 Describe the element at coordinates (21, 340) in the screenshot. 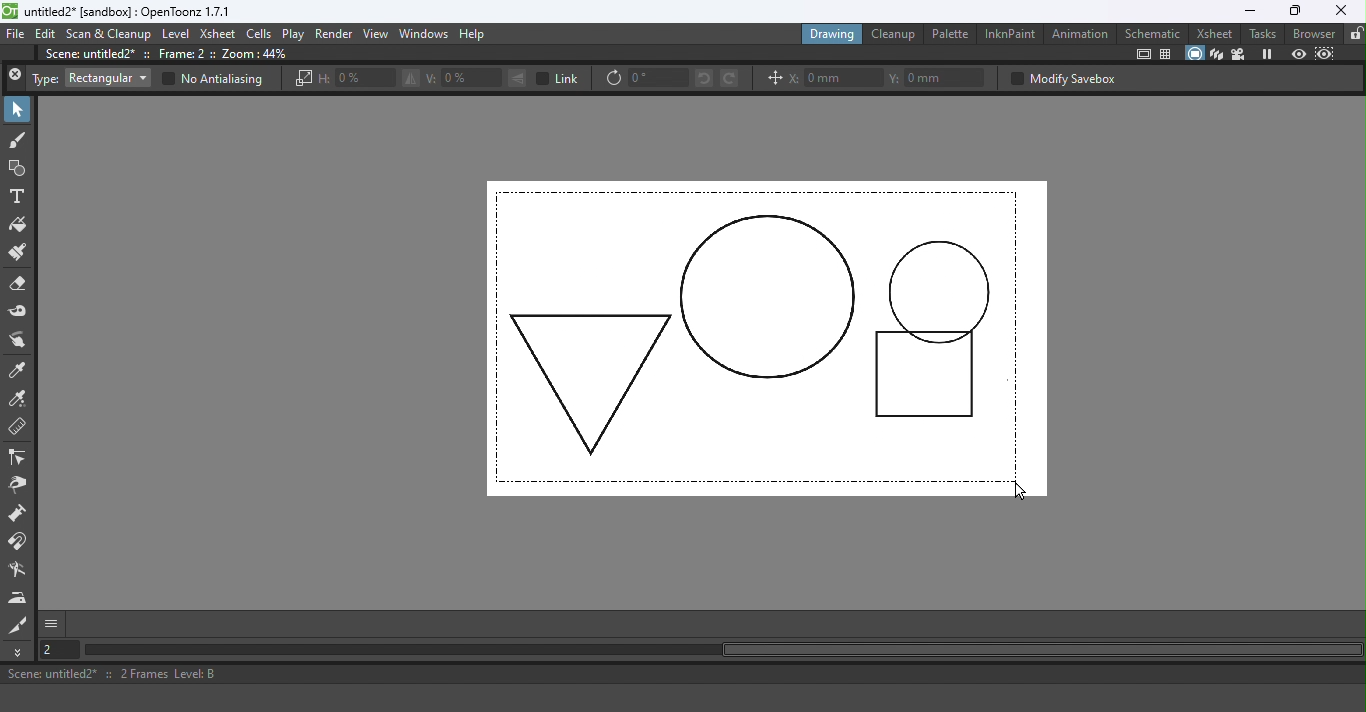

I see `Finger tool` at that location.